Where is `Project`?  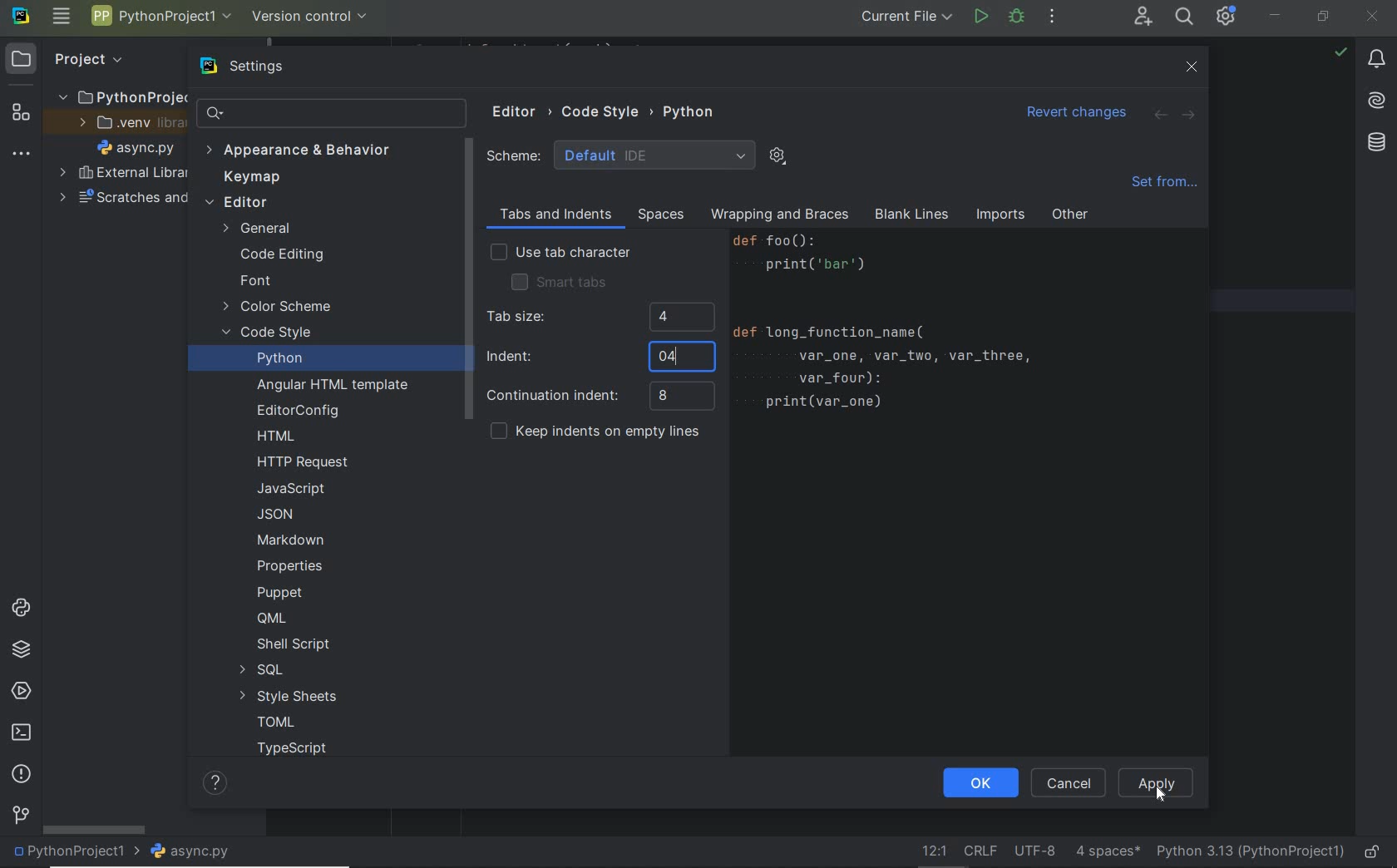
Project is located at coordinates (74, 60).